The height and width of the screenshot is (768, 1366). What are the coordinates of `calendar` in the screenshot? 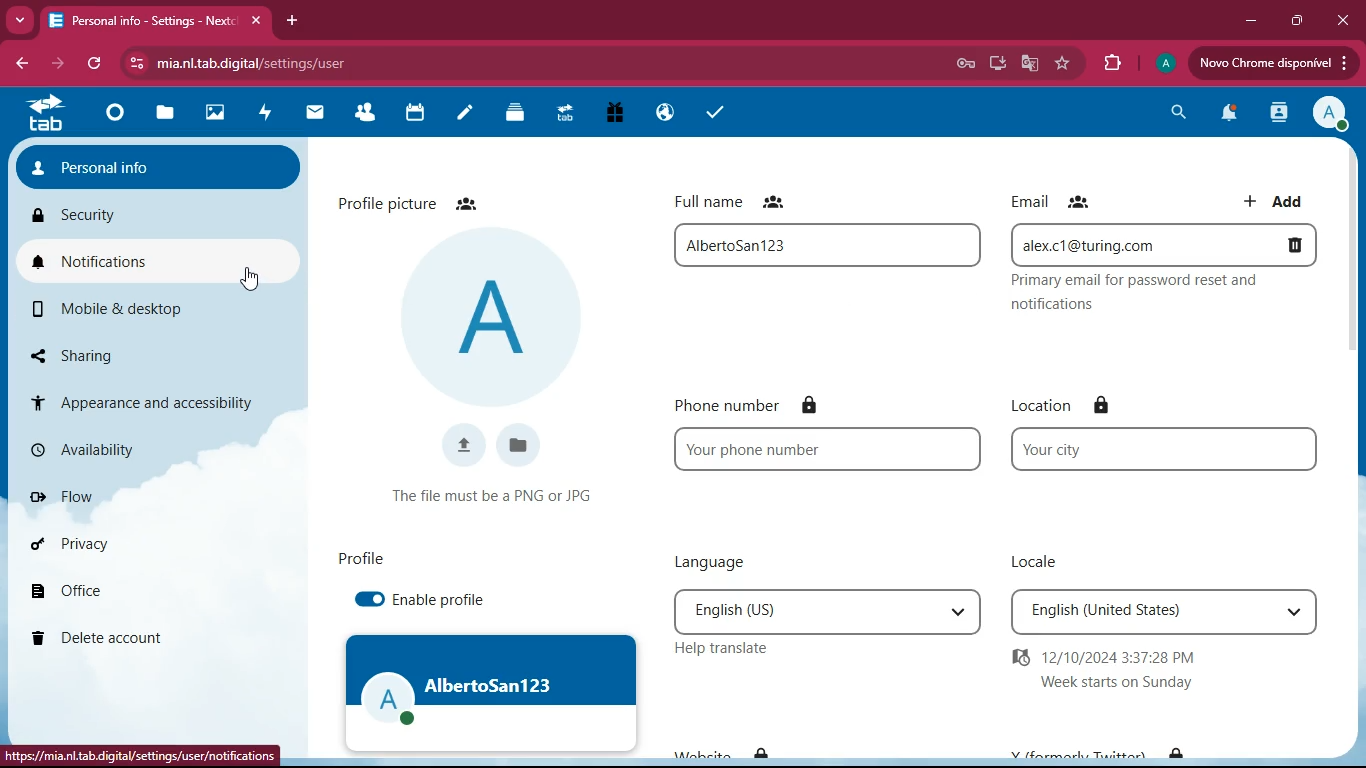 It's located at (411, 114).